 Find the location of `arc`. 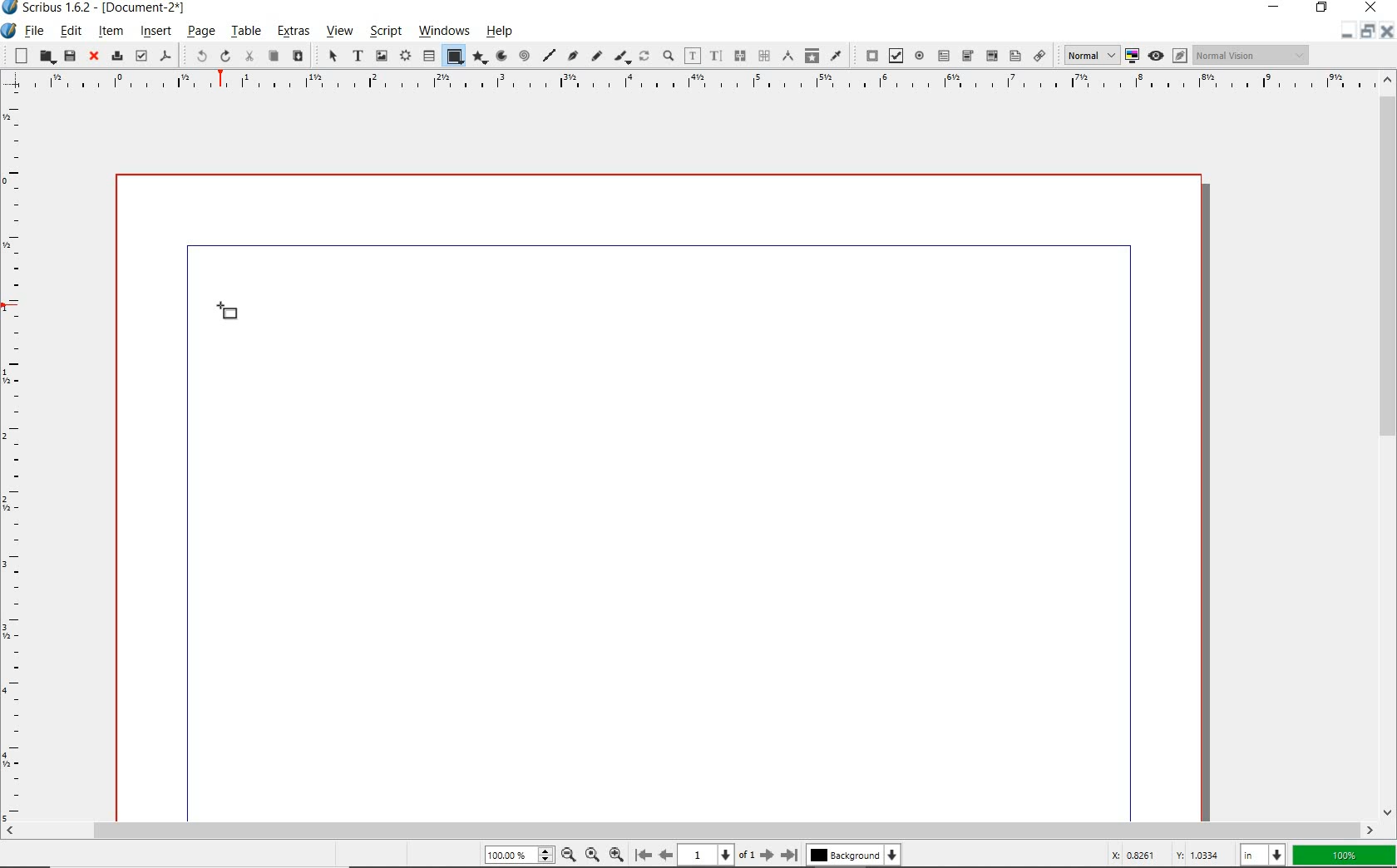

arc is located at coordinates (501, 56).